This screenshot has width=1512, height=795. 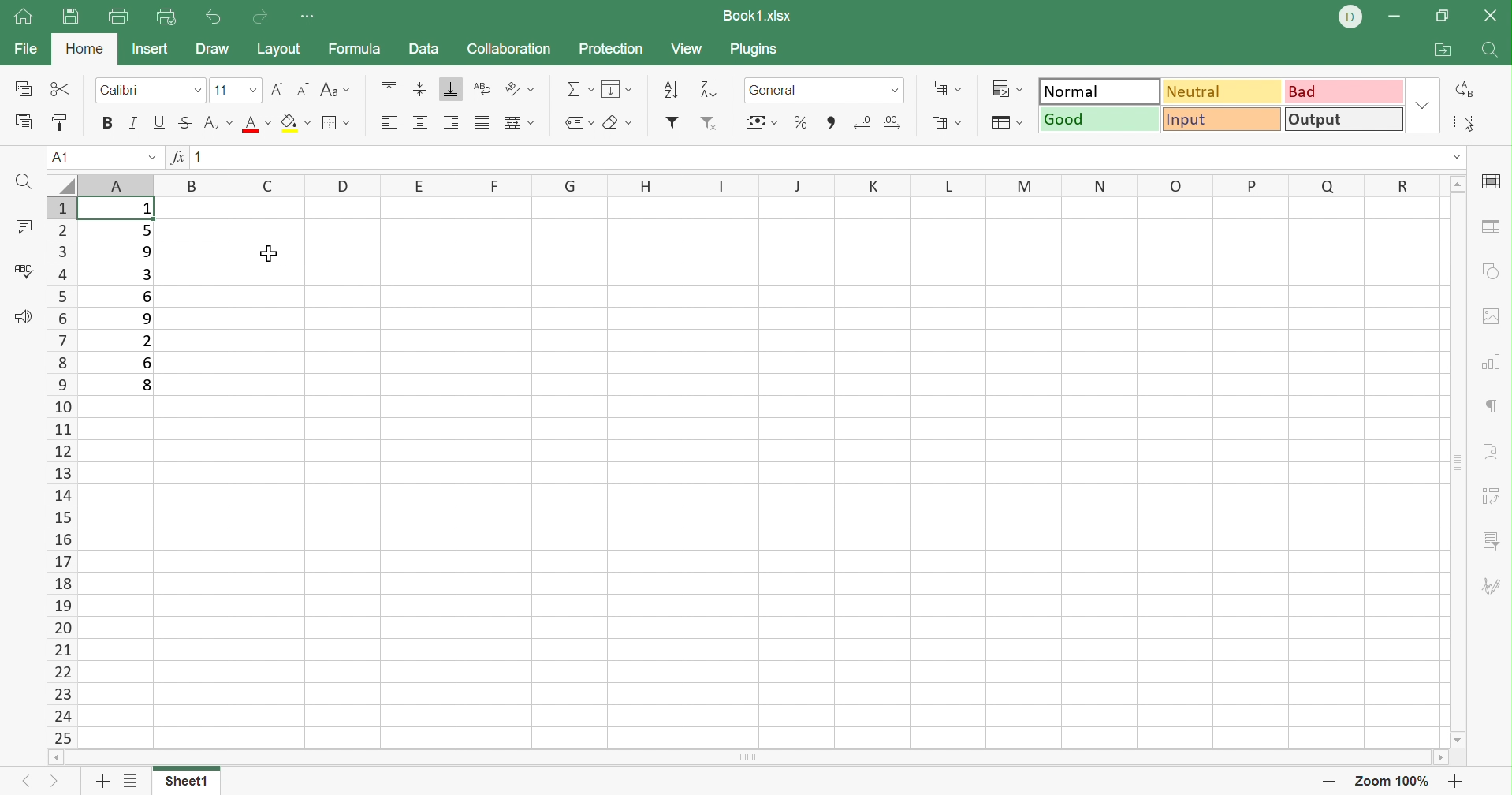 What do you see at coordinates (49, 756) in the screenshot?
I see `Scroll left` at bounding box center [49, 756].